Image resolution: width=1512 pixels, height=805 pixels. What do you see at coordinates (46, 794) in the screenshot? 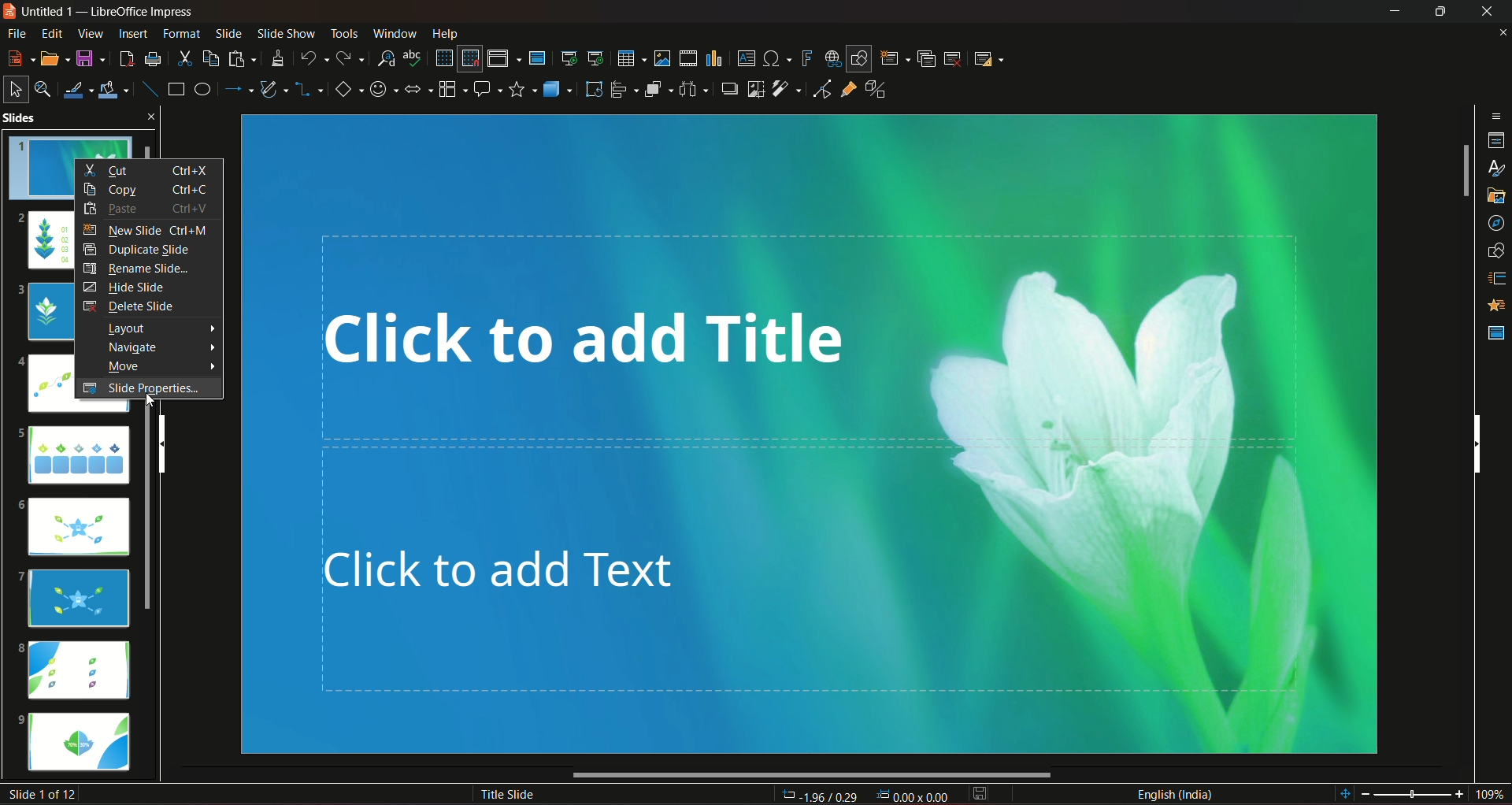
I see `slide number` at bounding box center [46, 794].